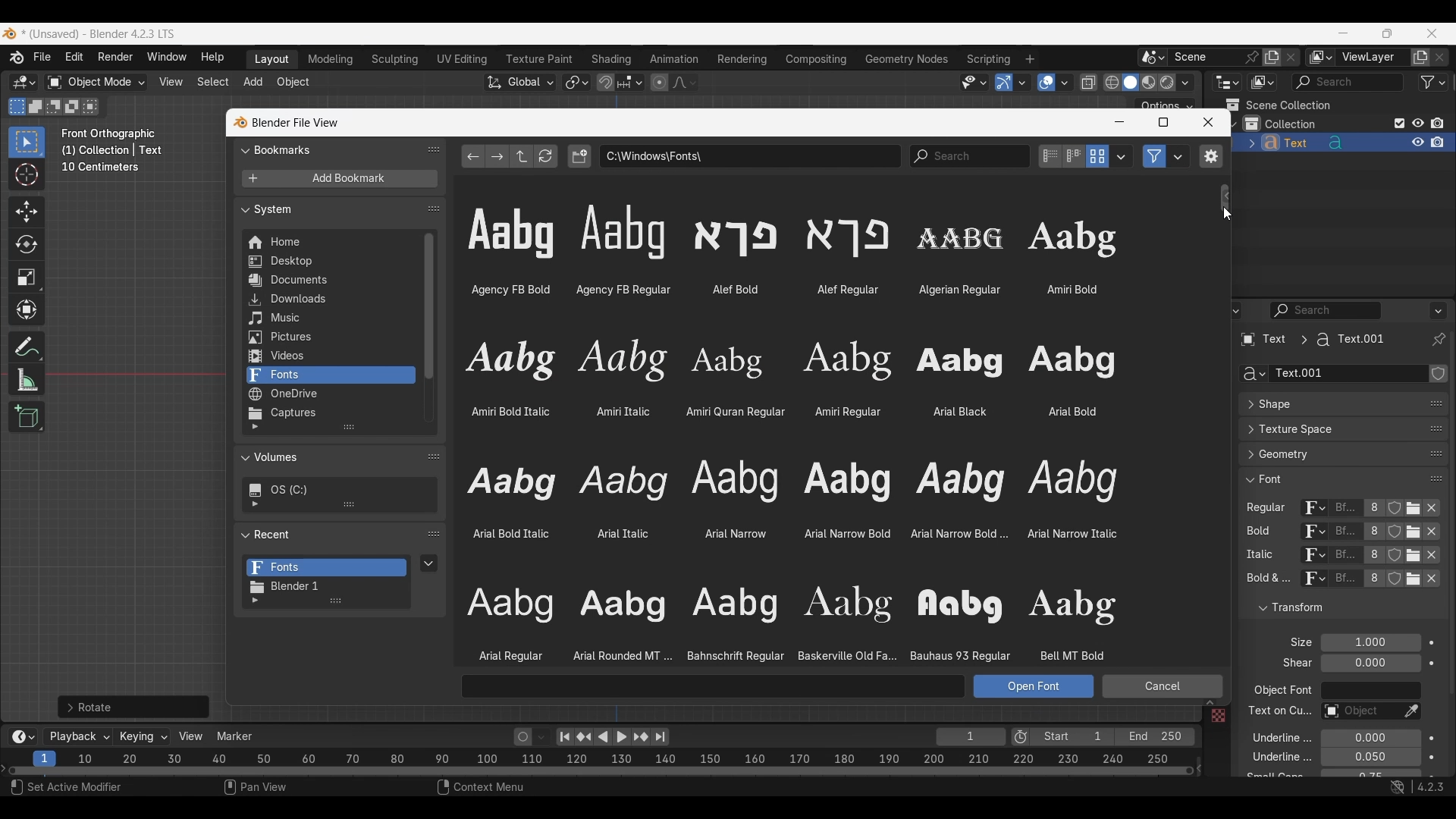  Describe the element at coordinates (329, 209) in the screenshot. I see `Collapse System` at that location.